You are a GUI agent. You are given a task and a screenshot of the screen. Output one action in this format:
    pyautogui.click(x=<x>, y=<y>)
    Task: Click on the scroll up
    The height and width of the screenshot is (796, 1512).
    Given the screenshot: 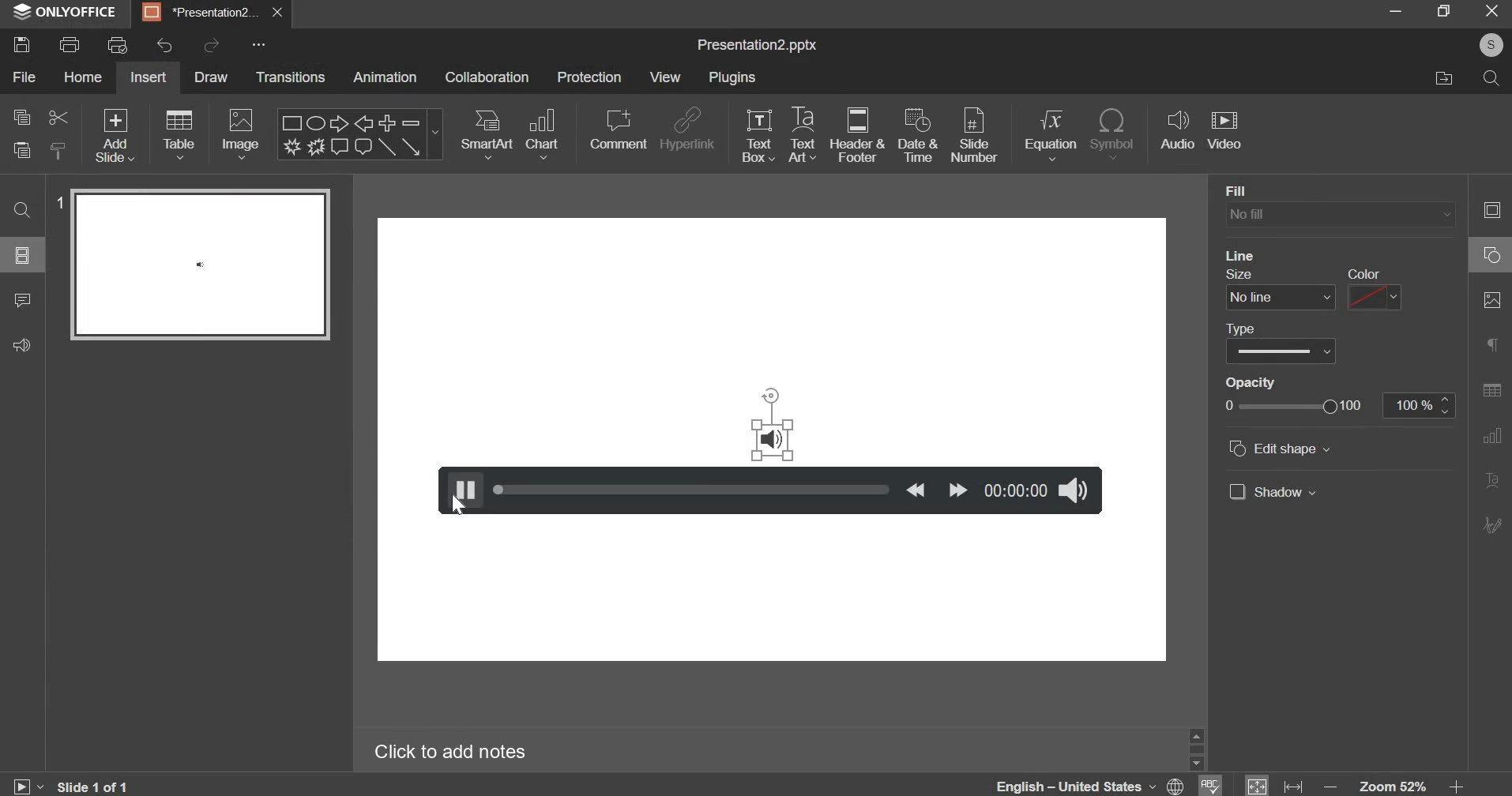 What is the action you would take?
    pyautogui.click(x=1196, y=736)
    